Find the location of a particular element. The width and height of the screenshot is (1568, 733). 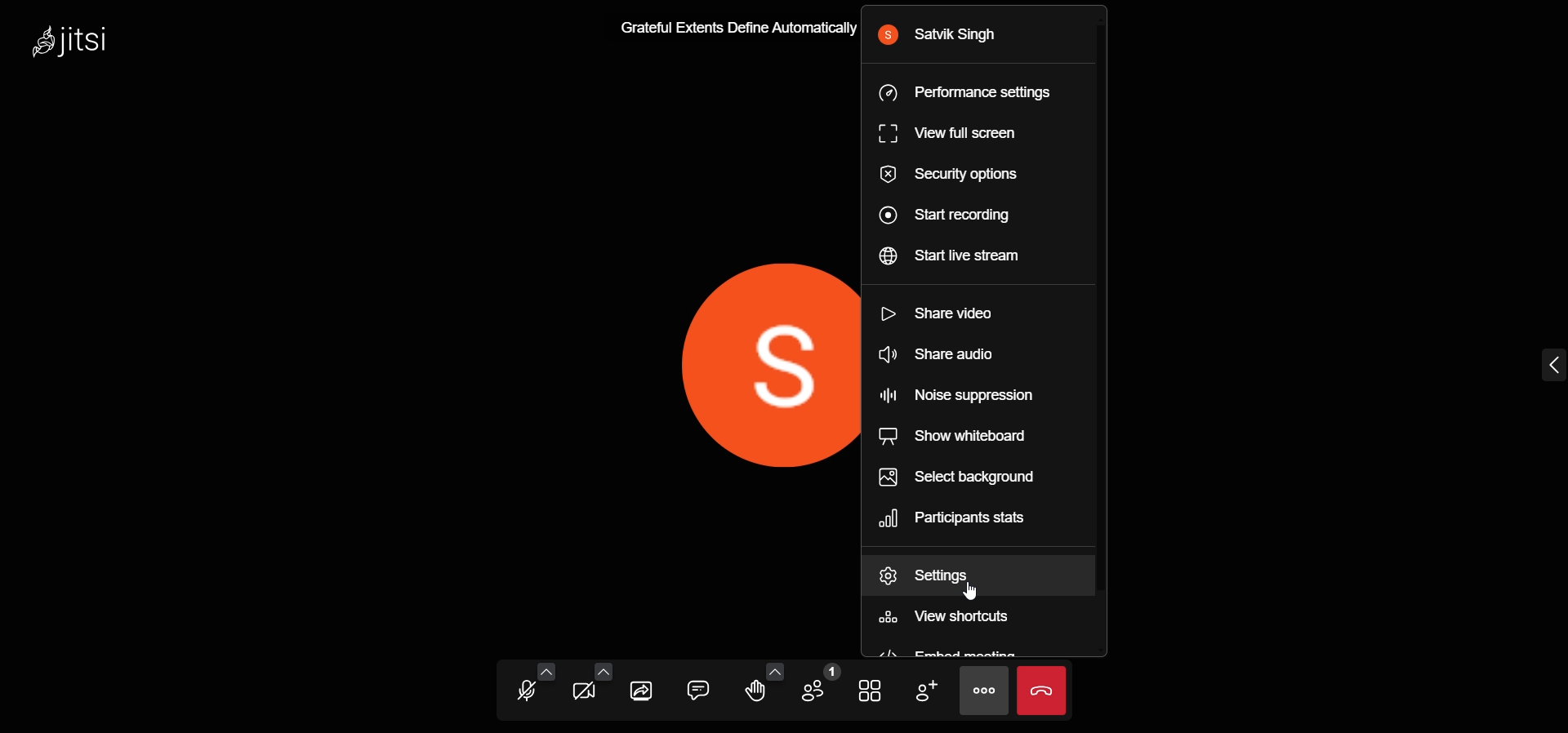

setting is located at coordinates (929, 576).